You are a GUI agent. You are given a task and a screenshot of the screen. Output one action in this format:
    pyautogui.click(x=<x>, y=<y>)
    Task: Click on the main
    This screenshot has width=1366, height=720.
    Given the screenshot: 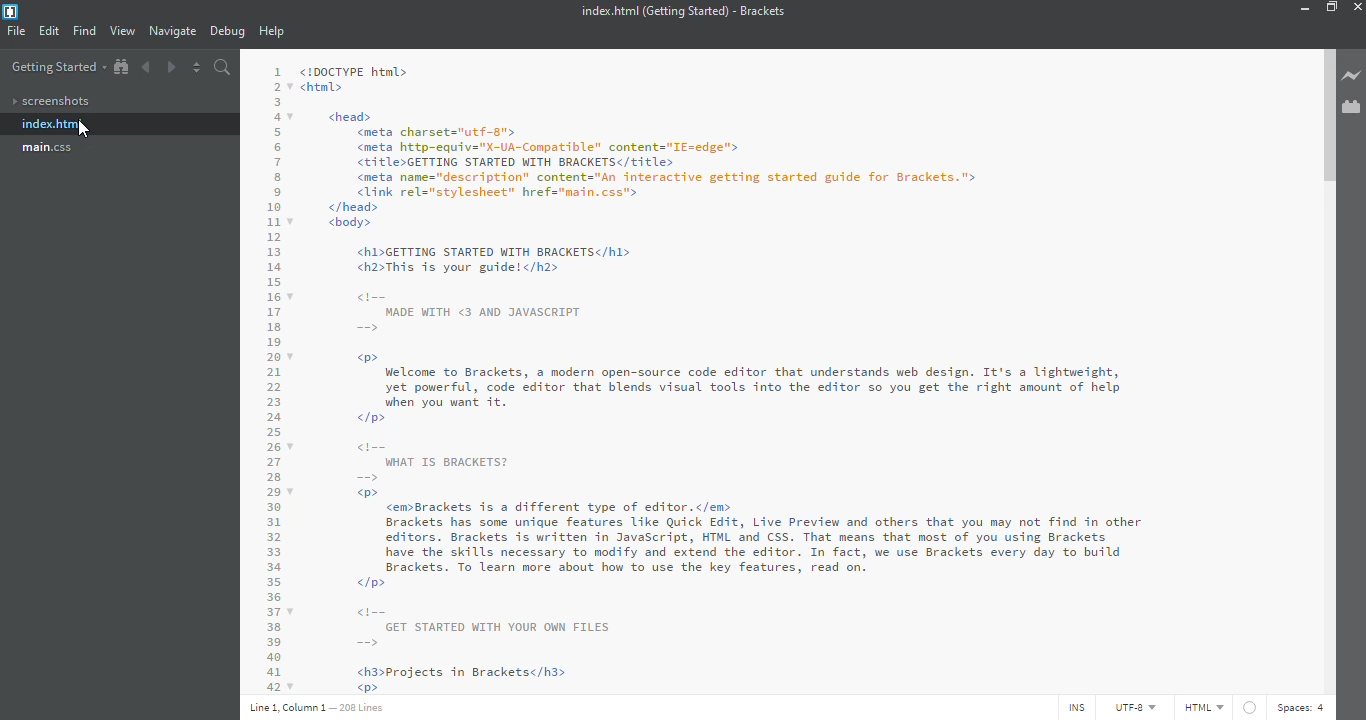 What is the action you would take?
    pyautogui.click(x=49, y=148)
    